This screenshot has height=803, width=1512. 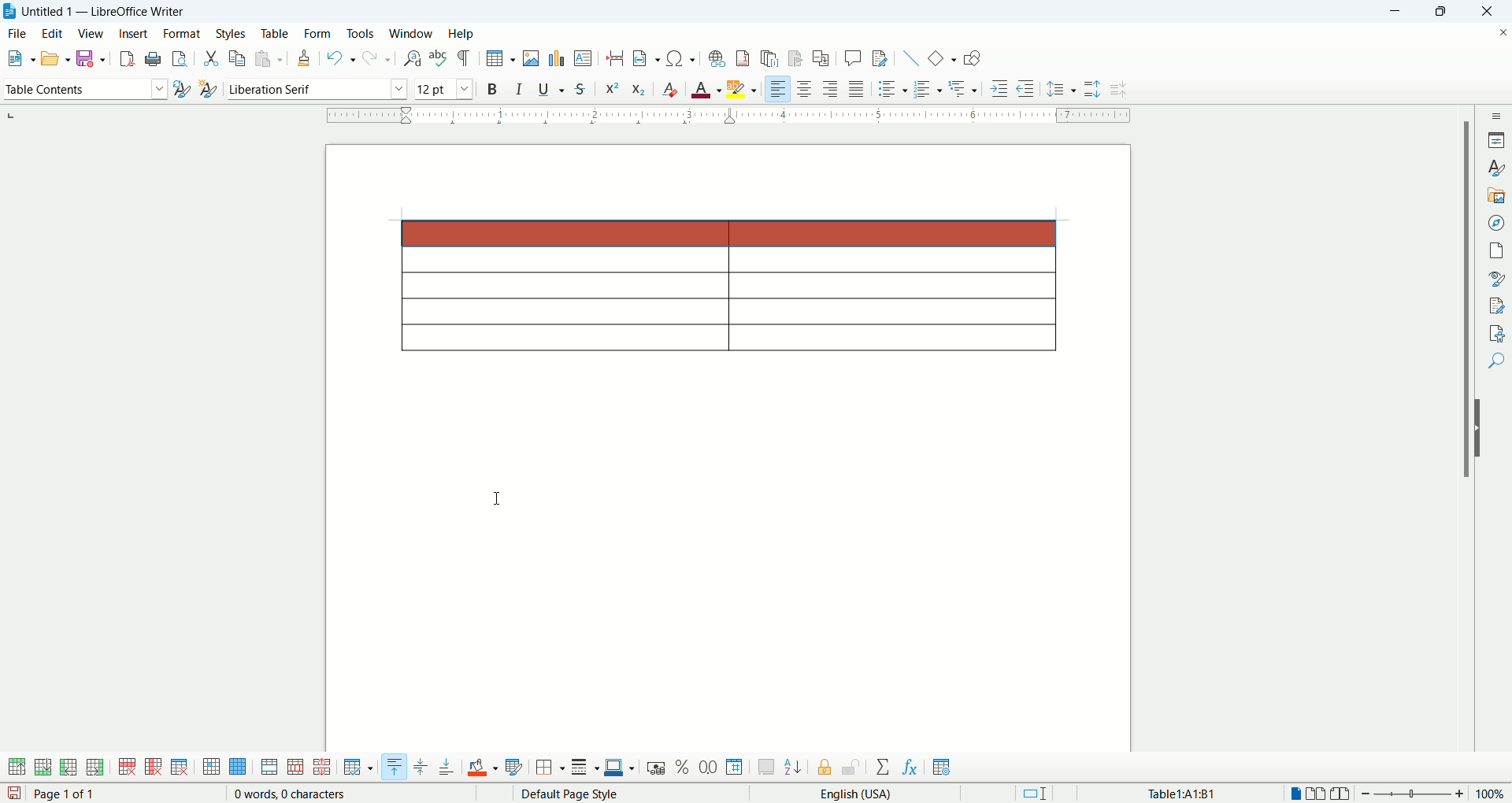 I want to click on center vertically, so click(x=420, y=768).